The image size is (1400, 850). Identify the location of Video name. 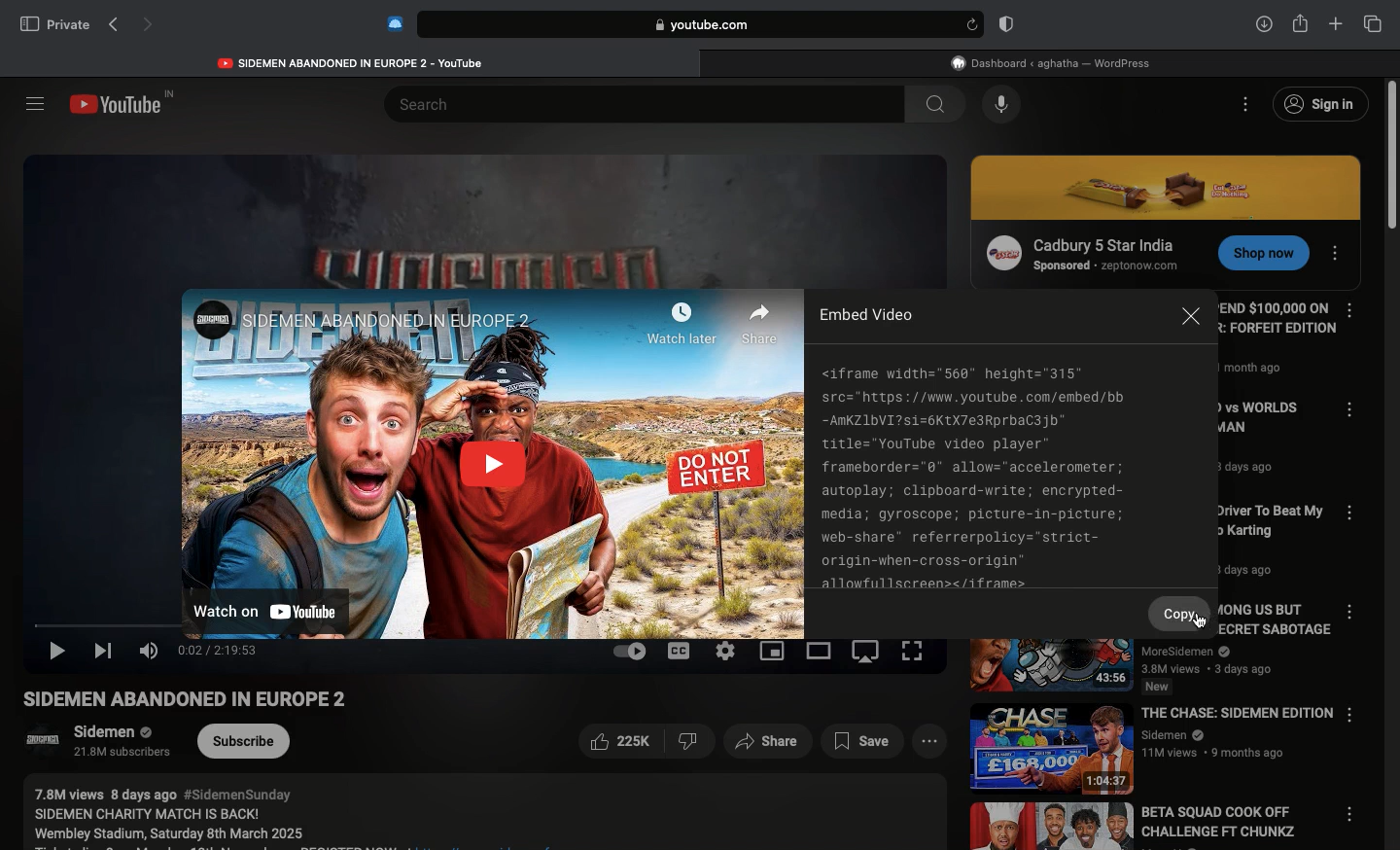
(1150, 665).